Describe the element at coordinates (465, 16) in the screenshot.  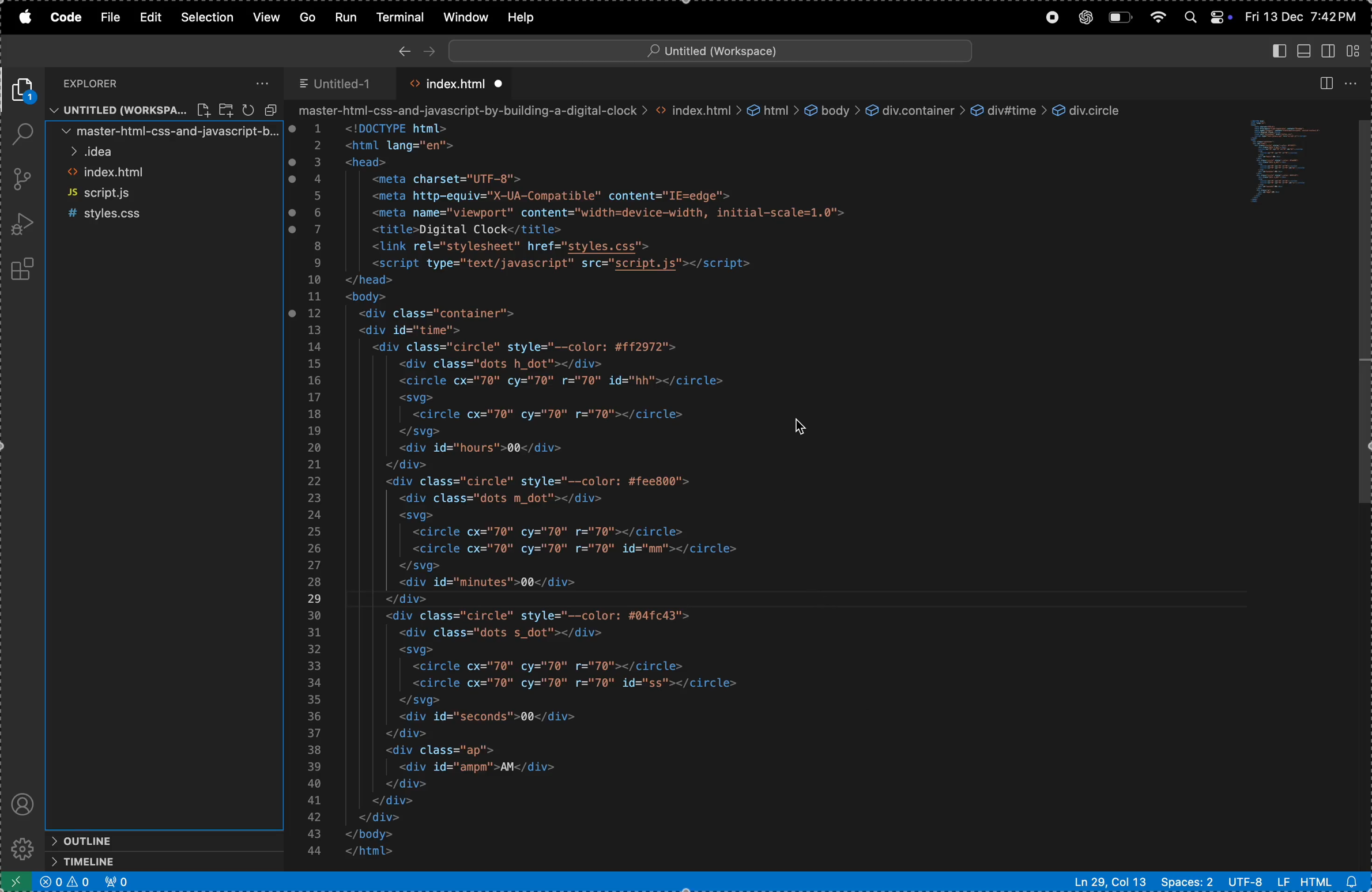
I see `window` at that location.